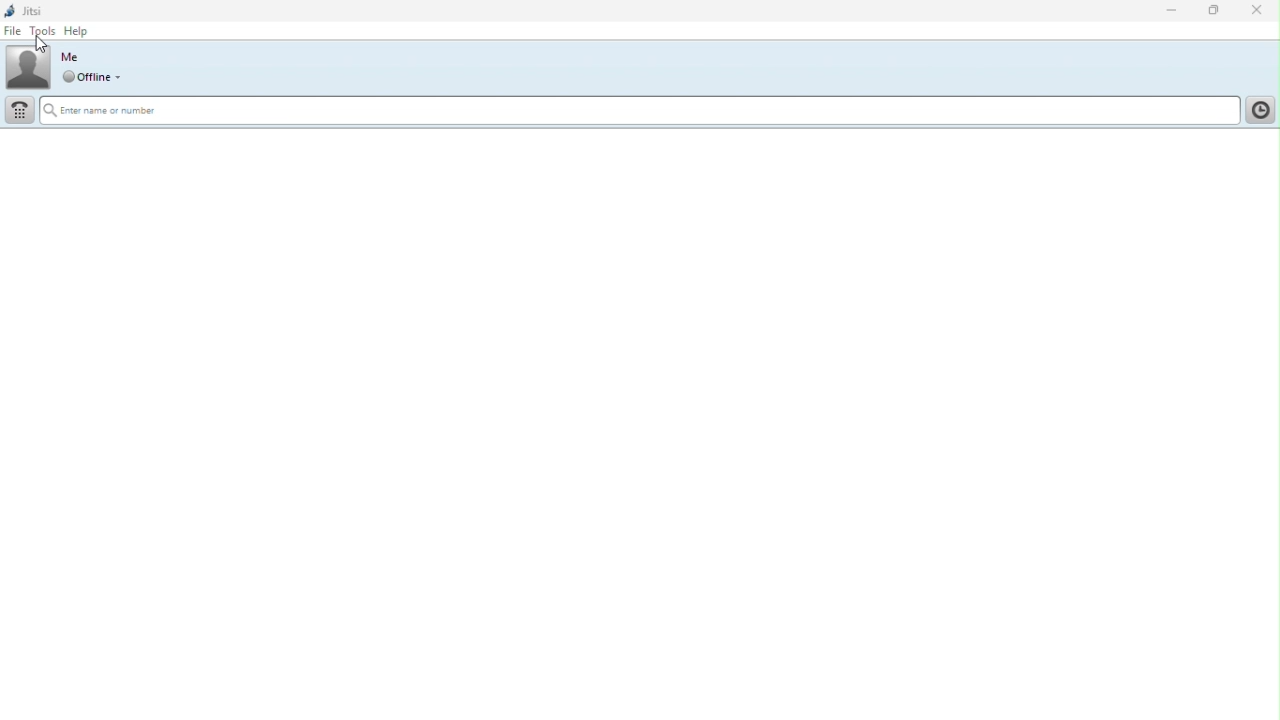  What do you see at coordinates (43, 42) in the screenshot?
I see `cursor` at bounding box center [43, 42].